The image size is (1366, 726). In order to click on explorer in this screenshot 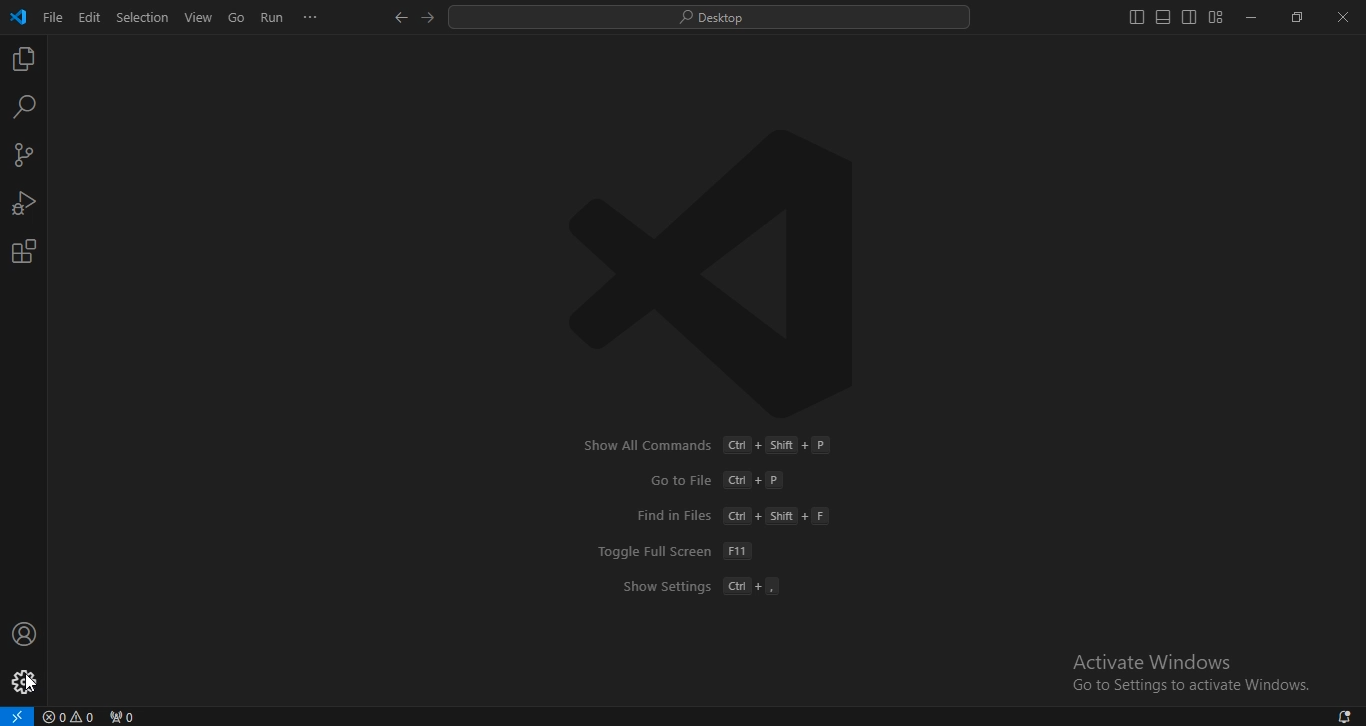, I will do `click(23, 58)`.